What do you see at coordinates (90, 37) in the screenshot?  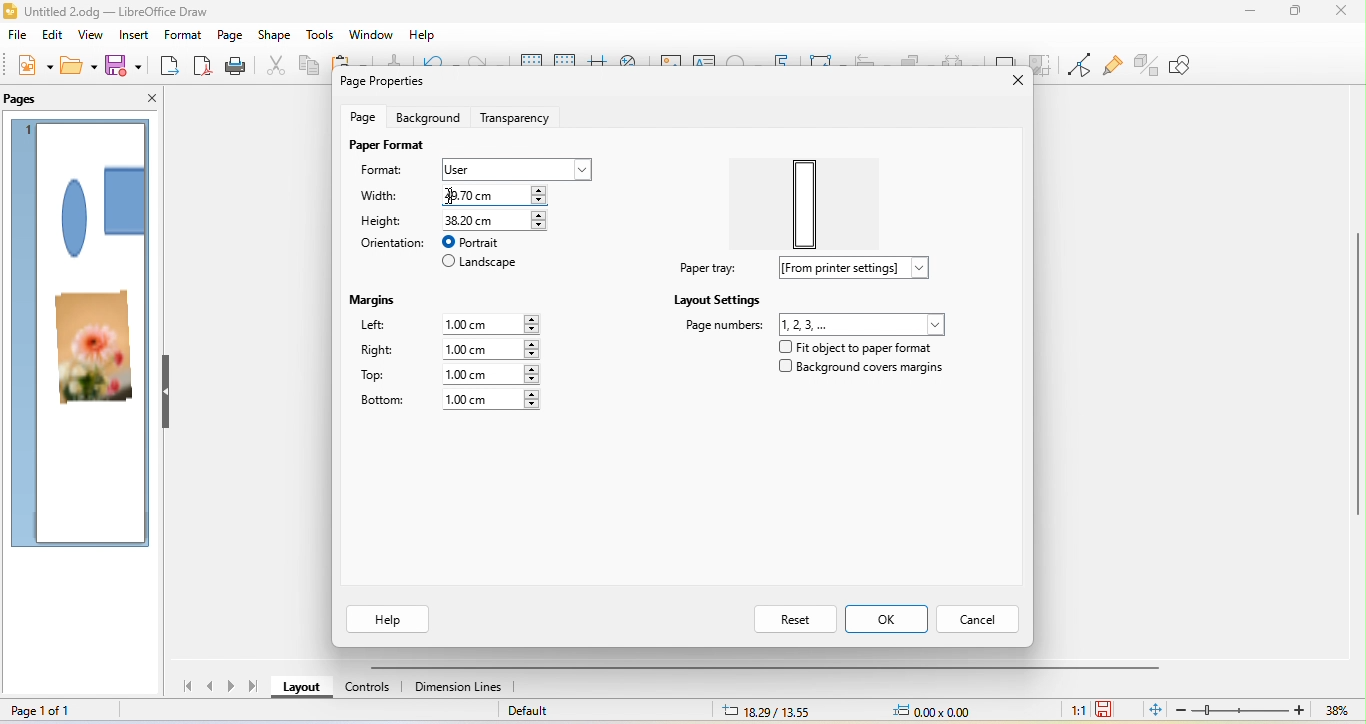 I see `view` at bounding box center [90, 37].